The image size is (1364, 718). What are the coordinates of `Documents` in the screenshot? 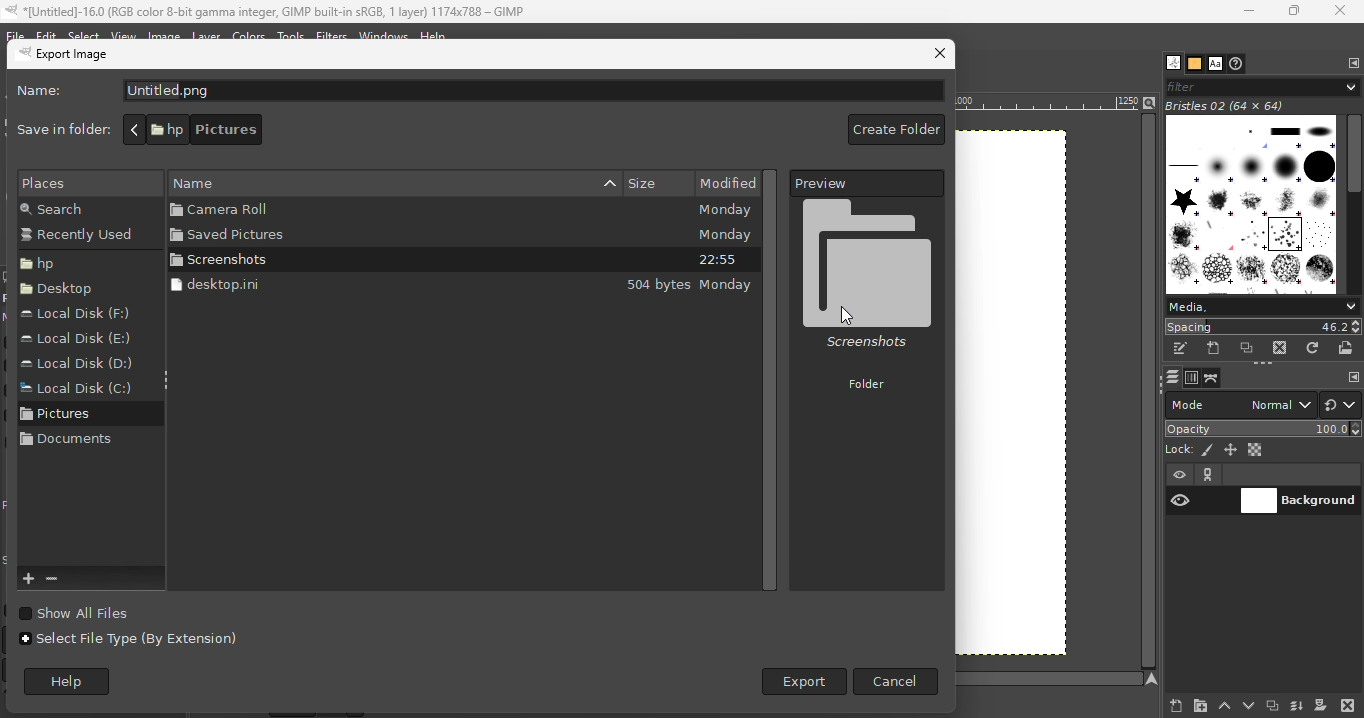 It's located at (235, 130).